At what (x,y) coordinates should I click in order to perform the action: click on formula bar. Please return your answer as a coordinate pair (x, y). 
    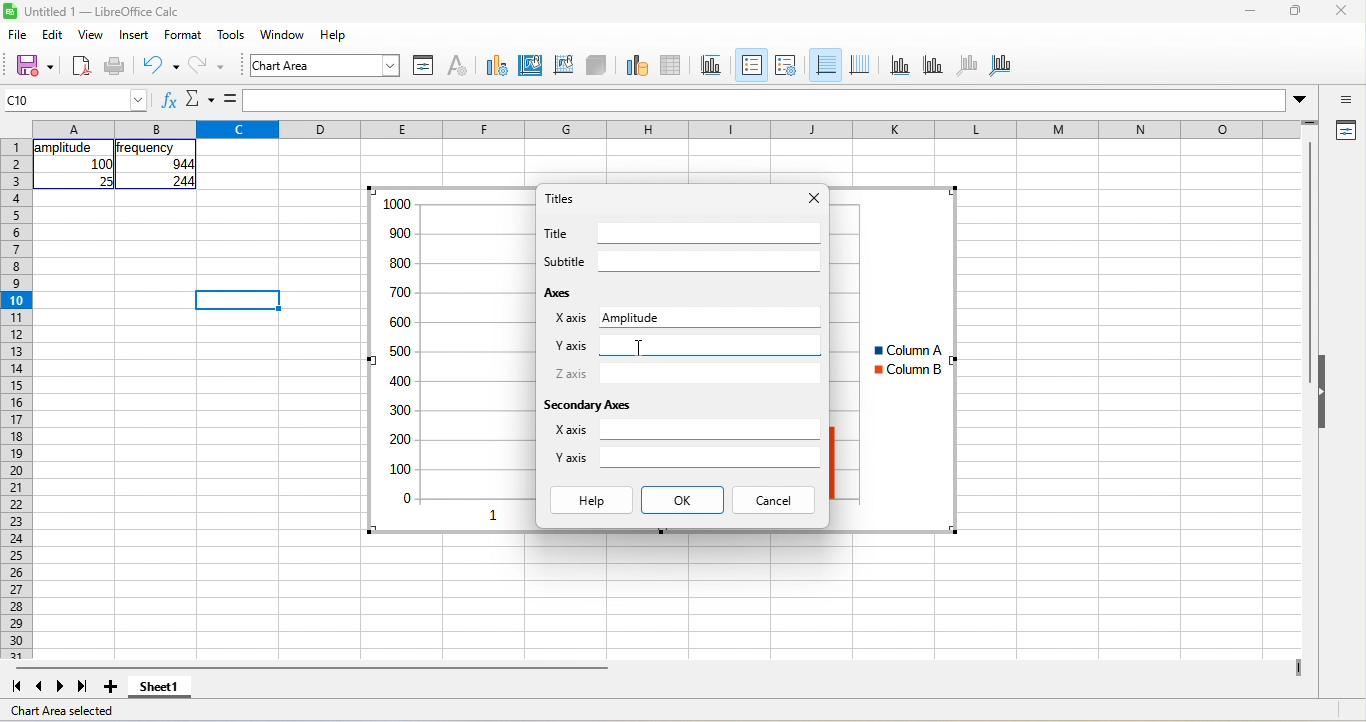
    Looking at the image, I should click on (765, 100).